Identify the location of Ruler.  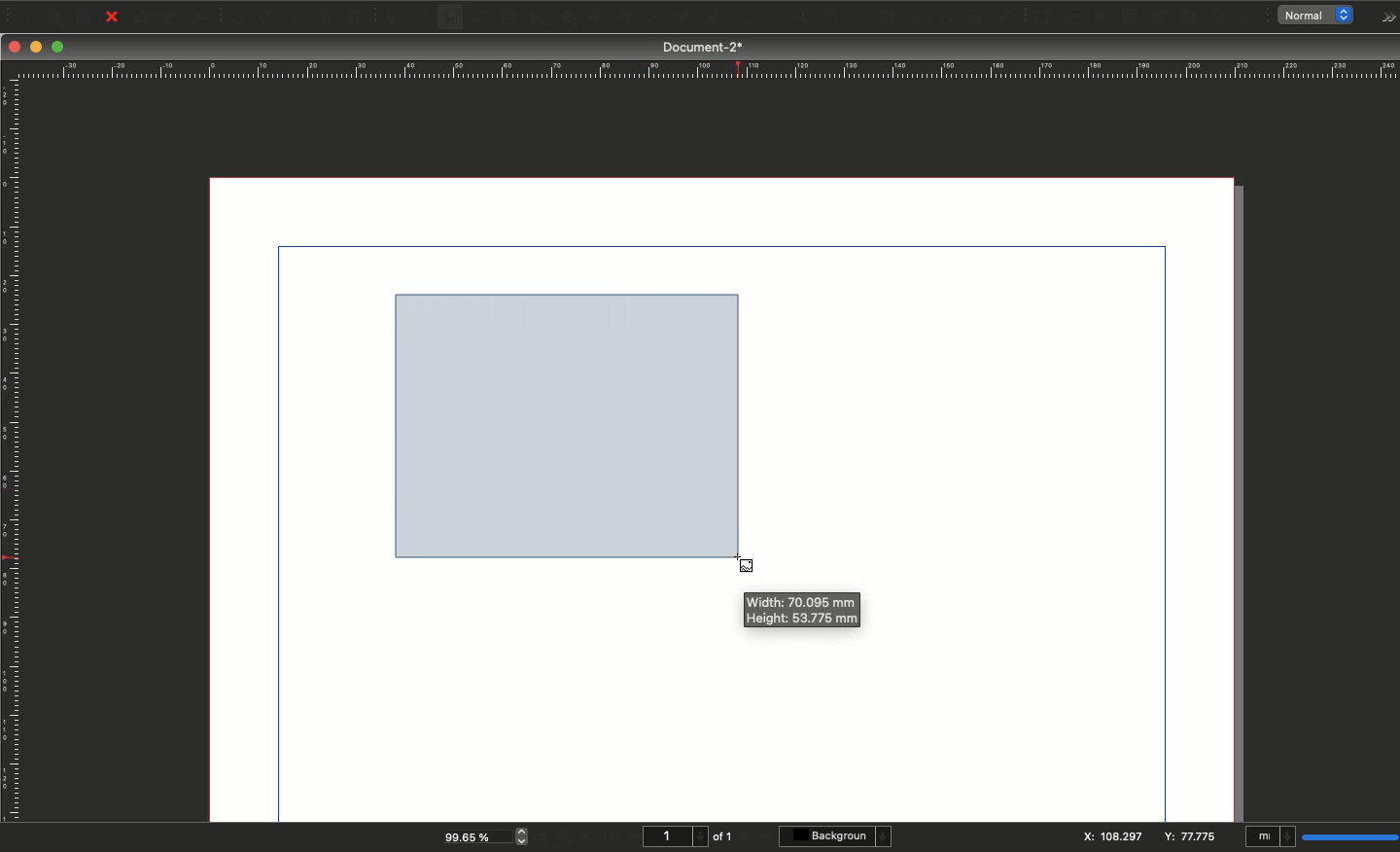
(705, 70).